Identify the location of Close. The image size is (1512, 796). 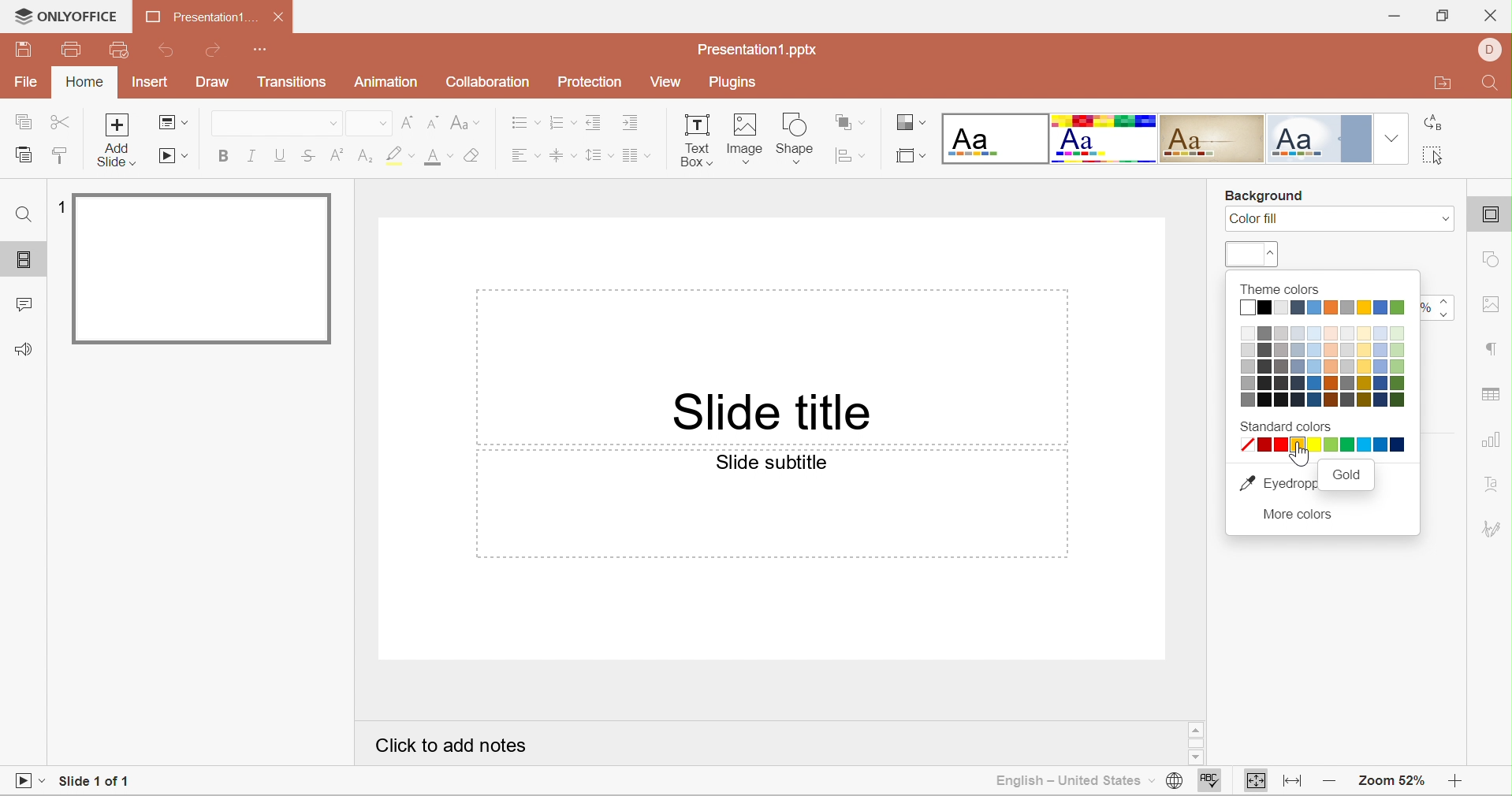
(1491, 16).